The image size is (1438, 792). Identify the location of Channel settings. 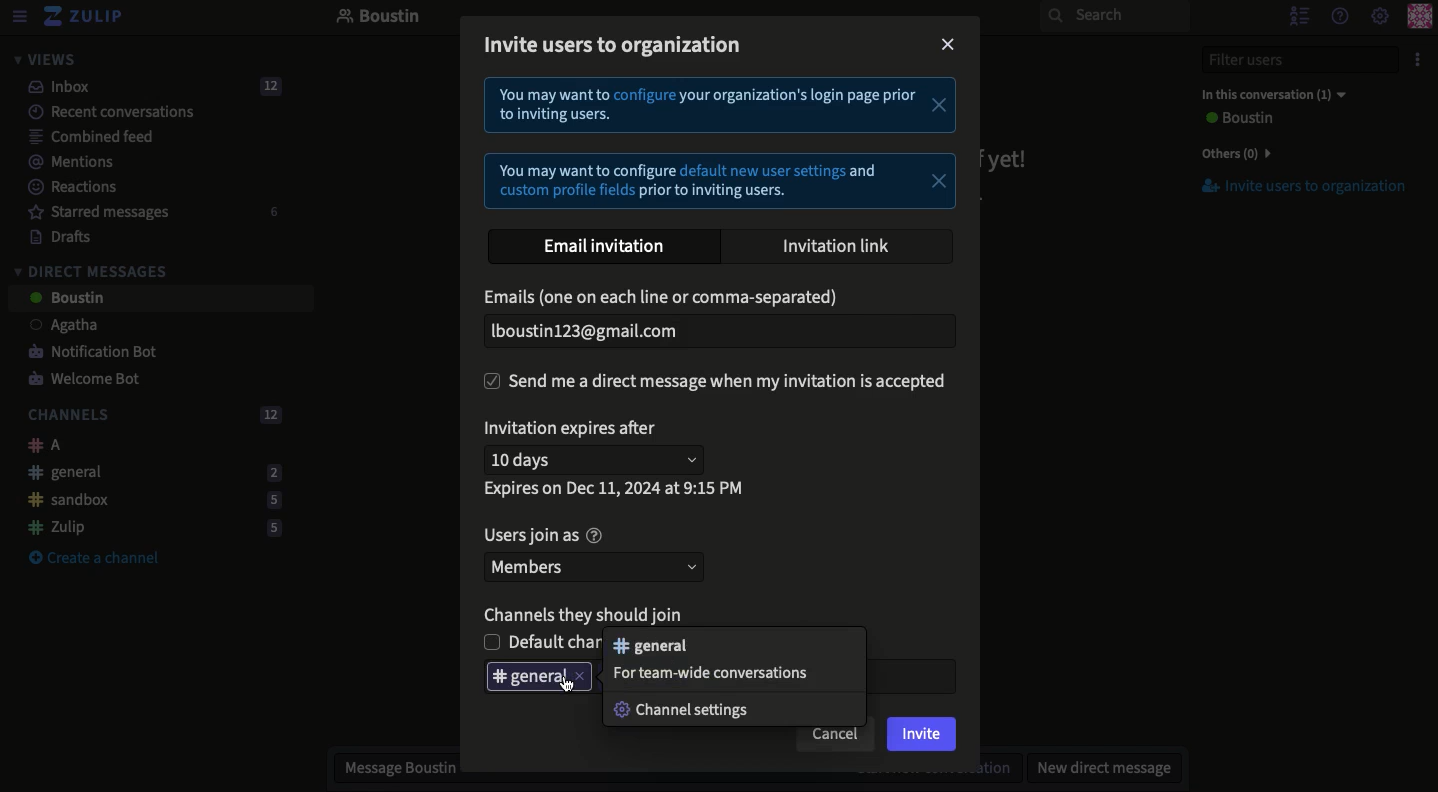
(682, 708).